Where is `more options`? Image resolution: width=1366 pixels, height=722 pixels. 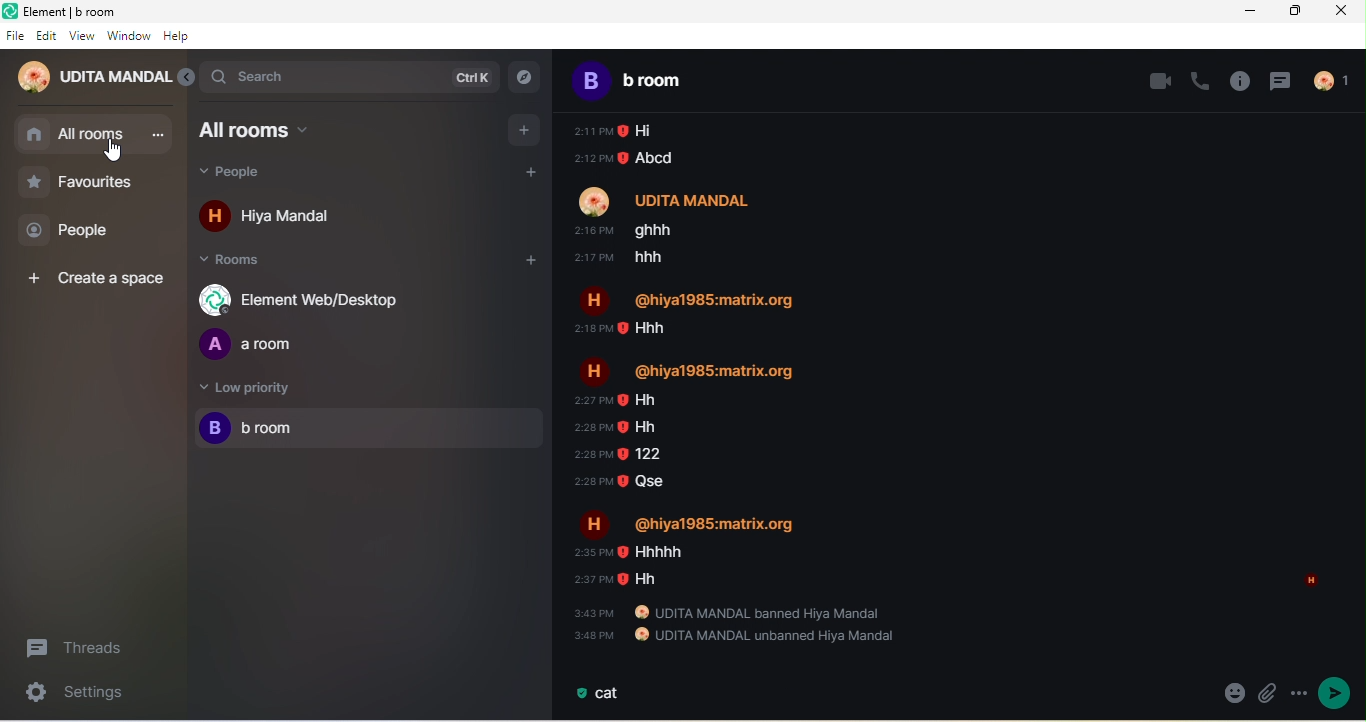
more options is located at coordinates (1299, 692).